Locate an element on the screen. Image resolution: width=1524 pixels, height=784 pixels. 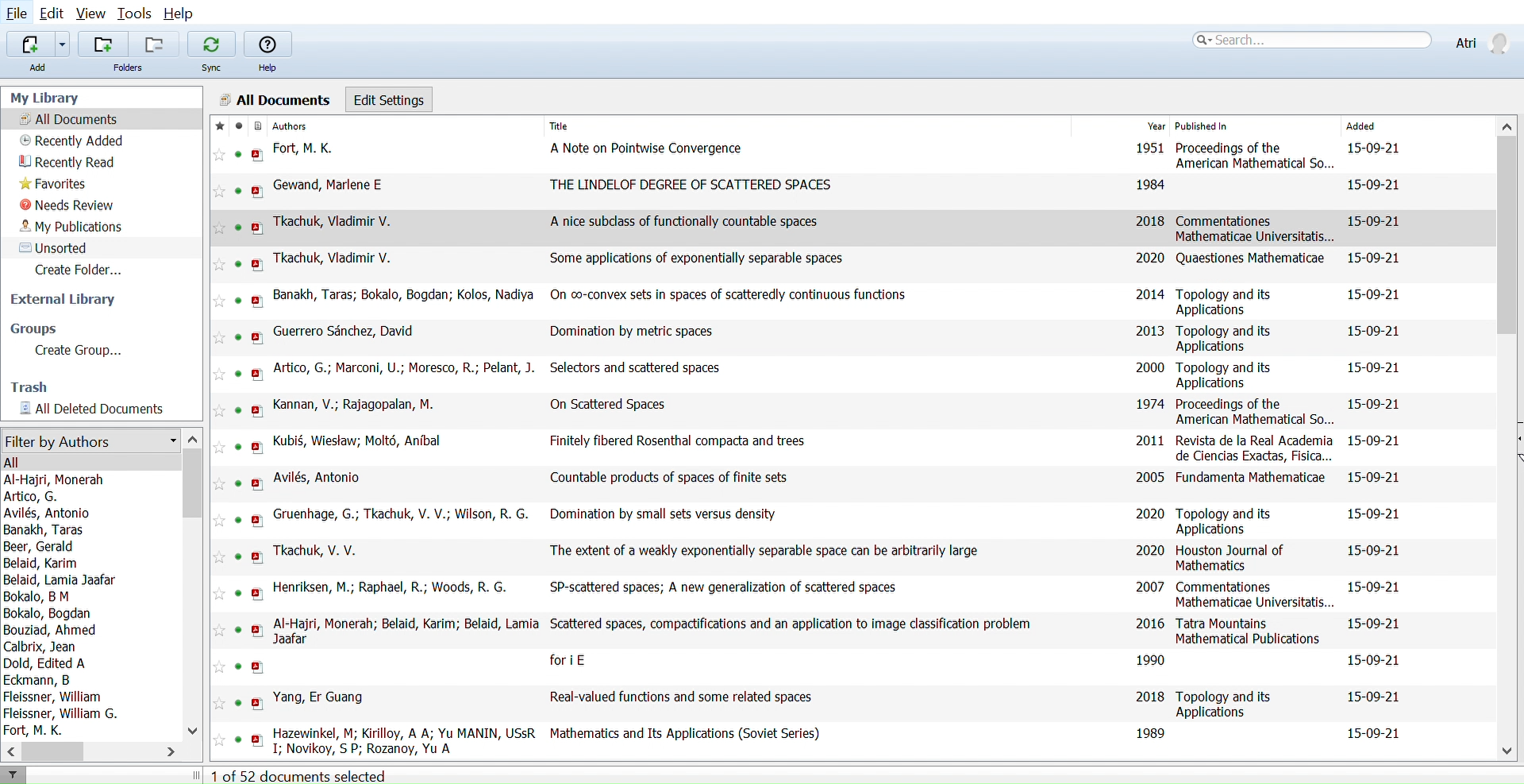
Added is located at coordinates (1380, 127).